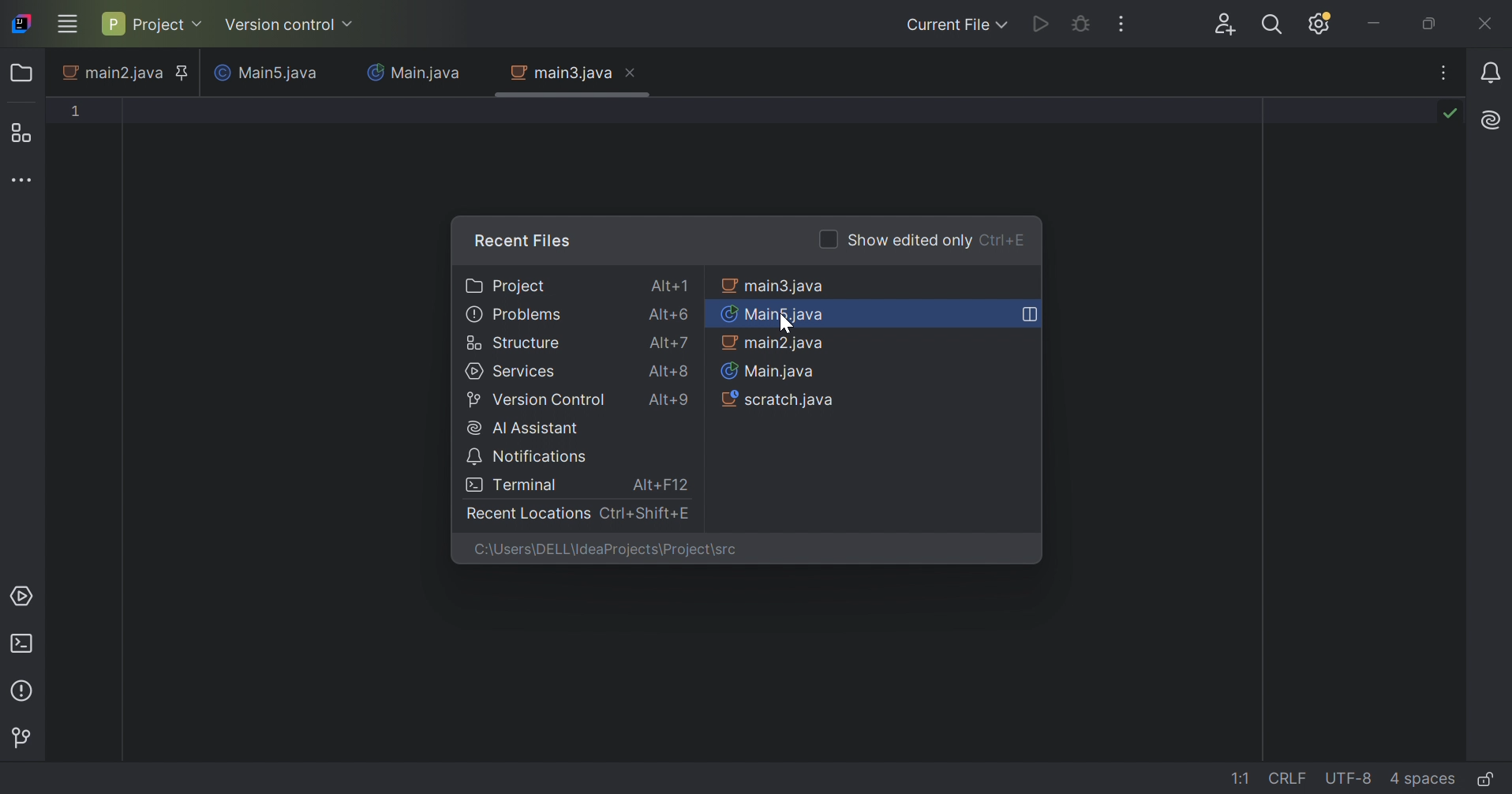  Describe the element at coordinates (18, 133) in the screenshot. I see `Structure` at that location.